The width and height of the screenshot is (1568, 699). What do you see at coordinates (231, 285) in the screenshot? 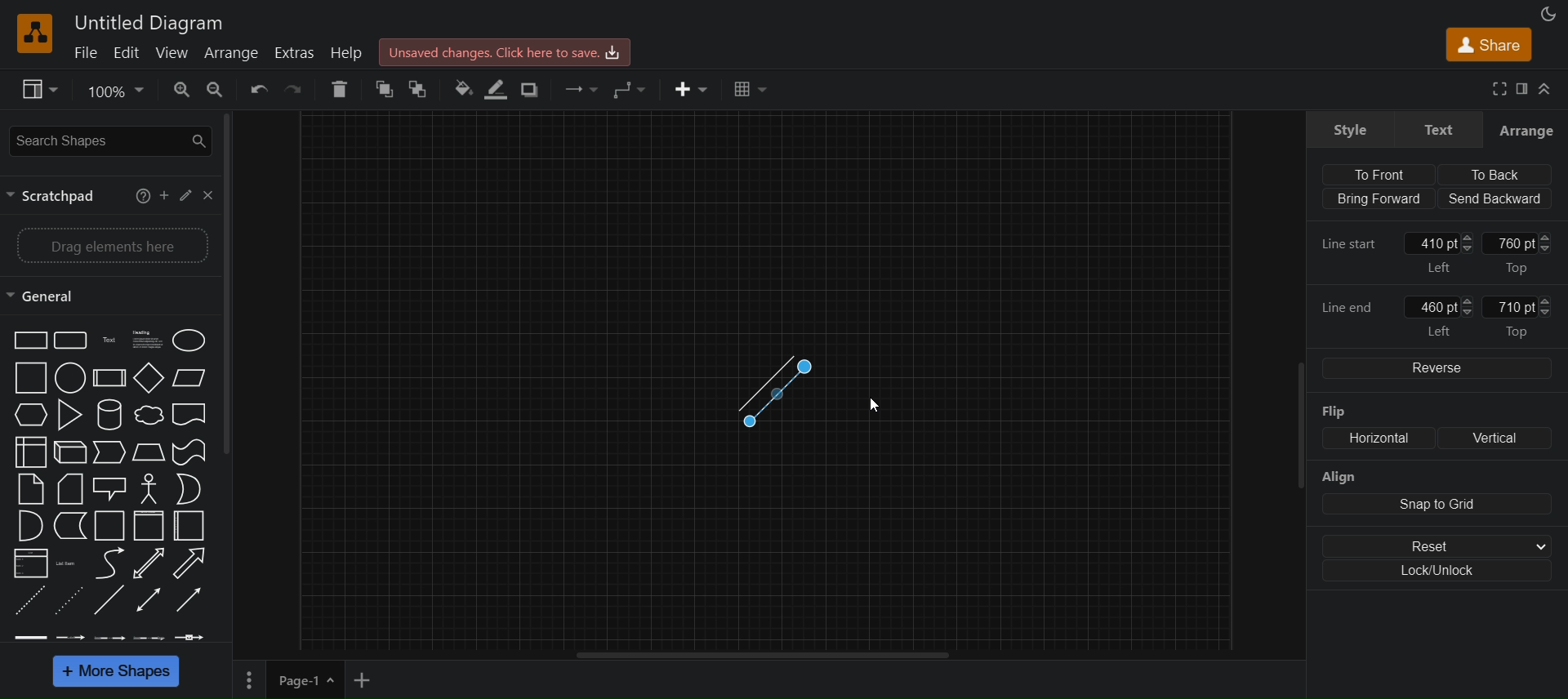
I see `vertical scroll bar` at bounding box center [231, 285].